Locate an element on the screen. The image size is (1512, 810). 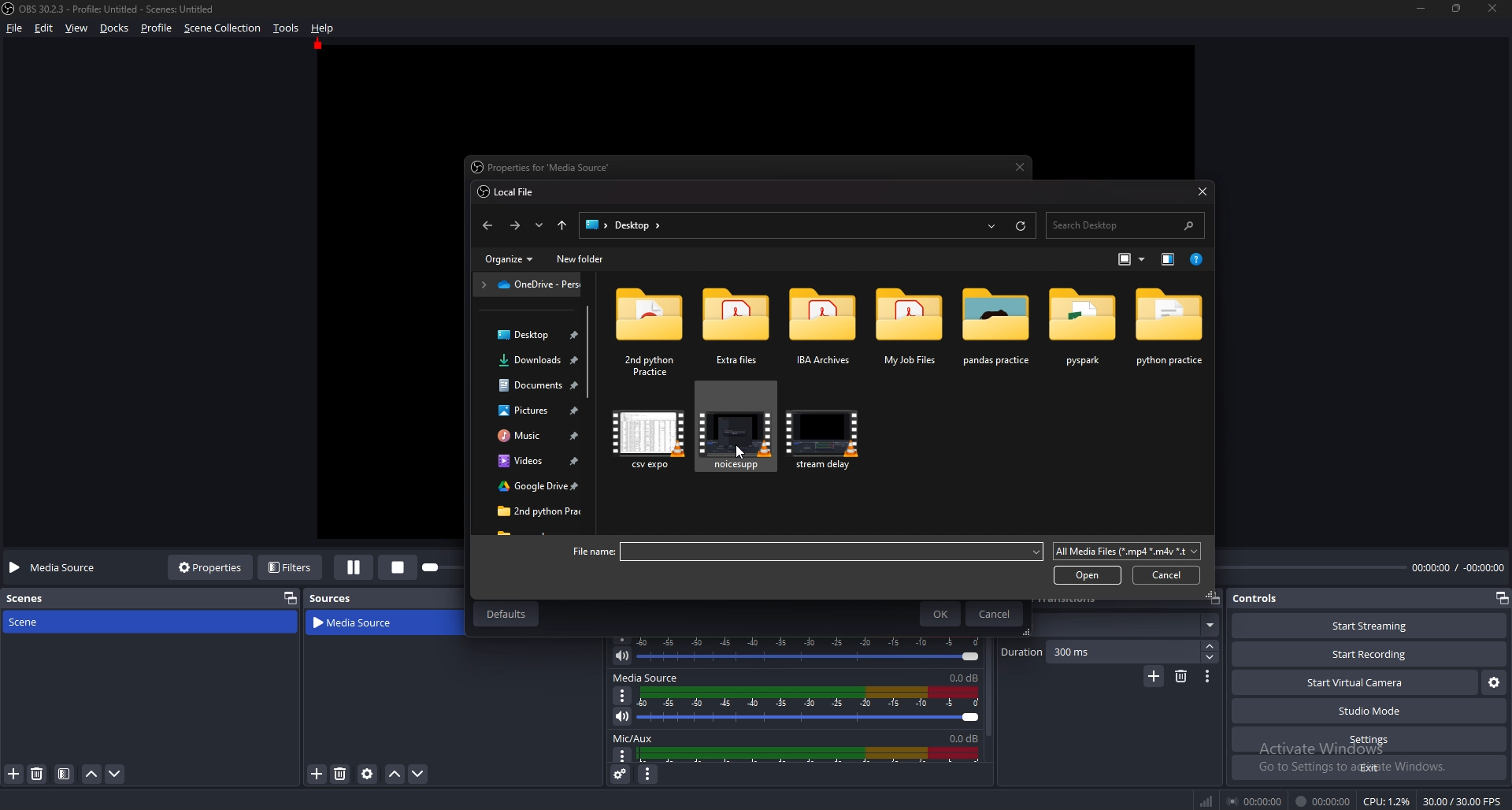
Profile is located at coordinates (156, 28).